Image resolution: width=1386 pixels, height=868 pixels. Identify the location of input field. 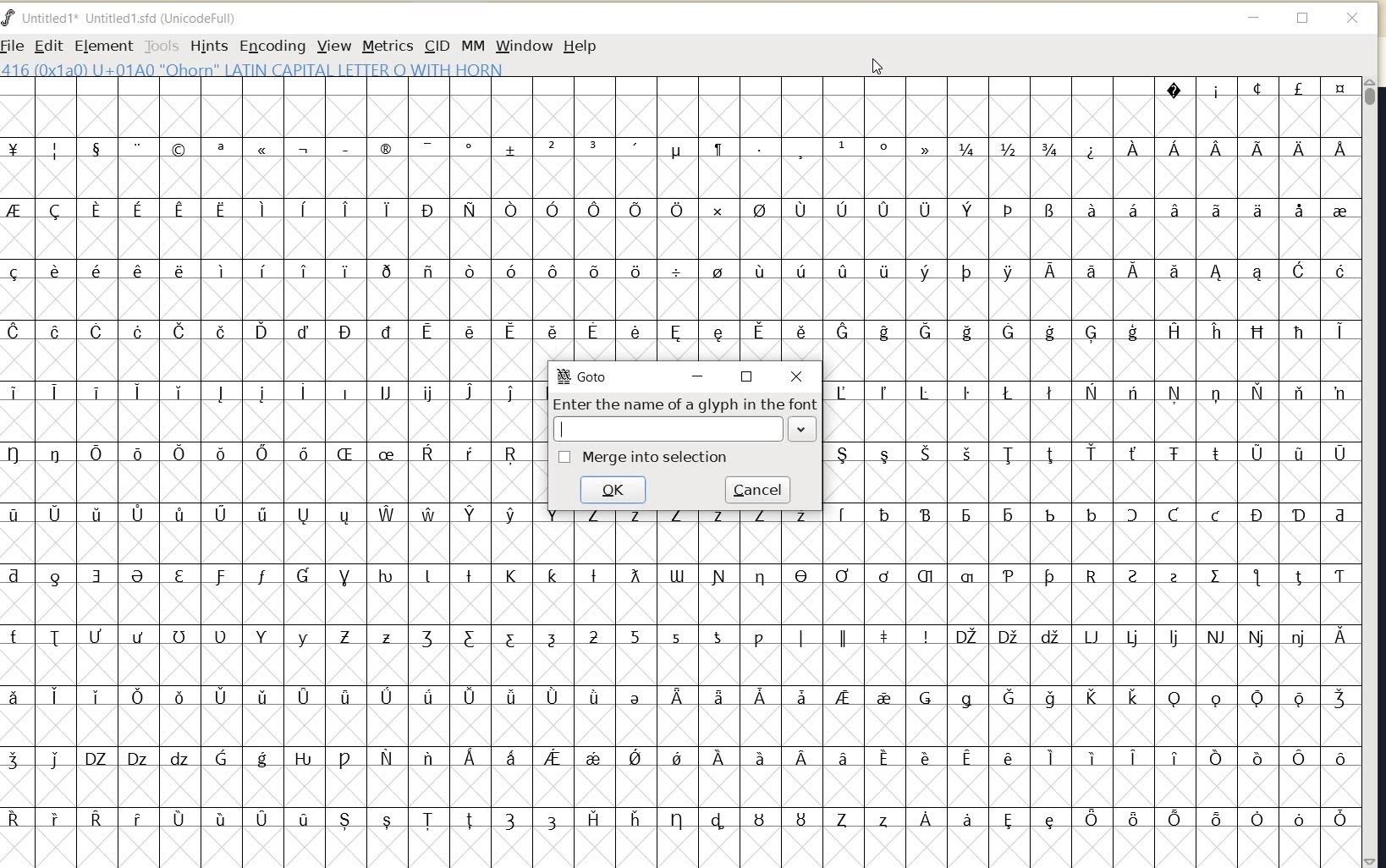
(669, 428).